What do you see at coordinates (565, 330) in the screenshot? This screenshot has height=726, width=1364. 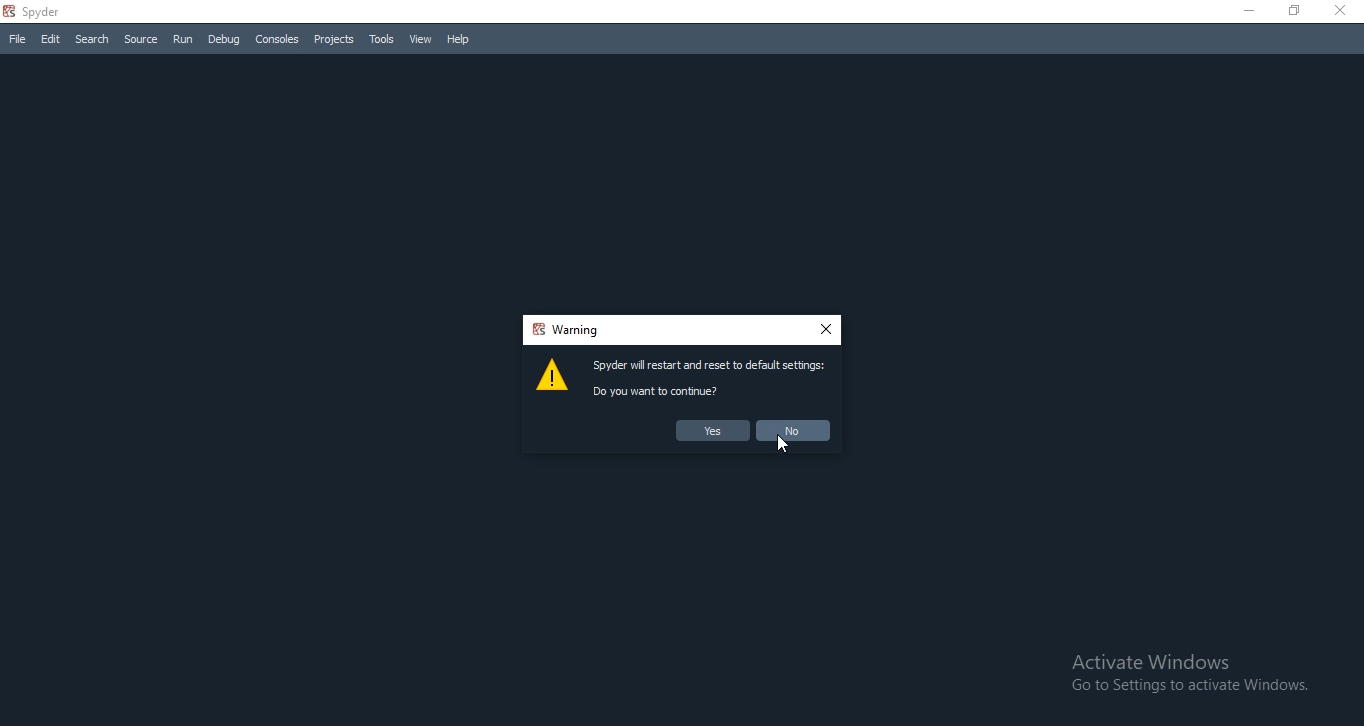 I see `warning` at bounding box center [565, 330].